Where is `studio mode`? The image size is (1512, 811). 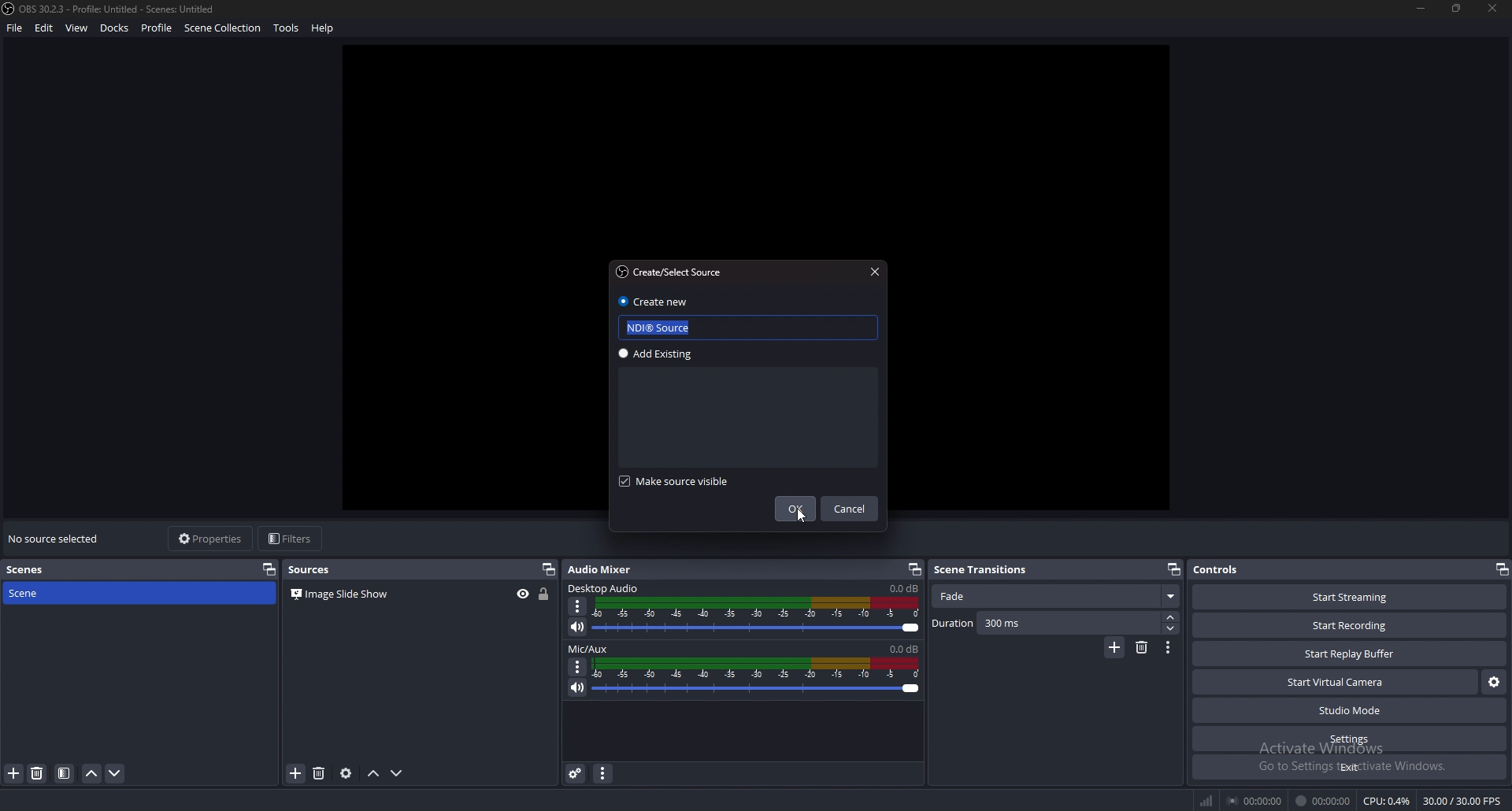 studio mode is located at coordinates (1349, 710).